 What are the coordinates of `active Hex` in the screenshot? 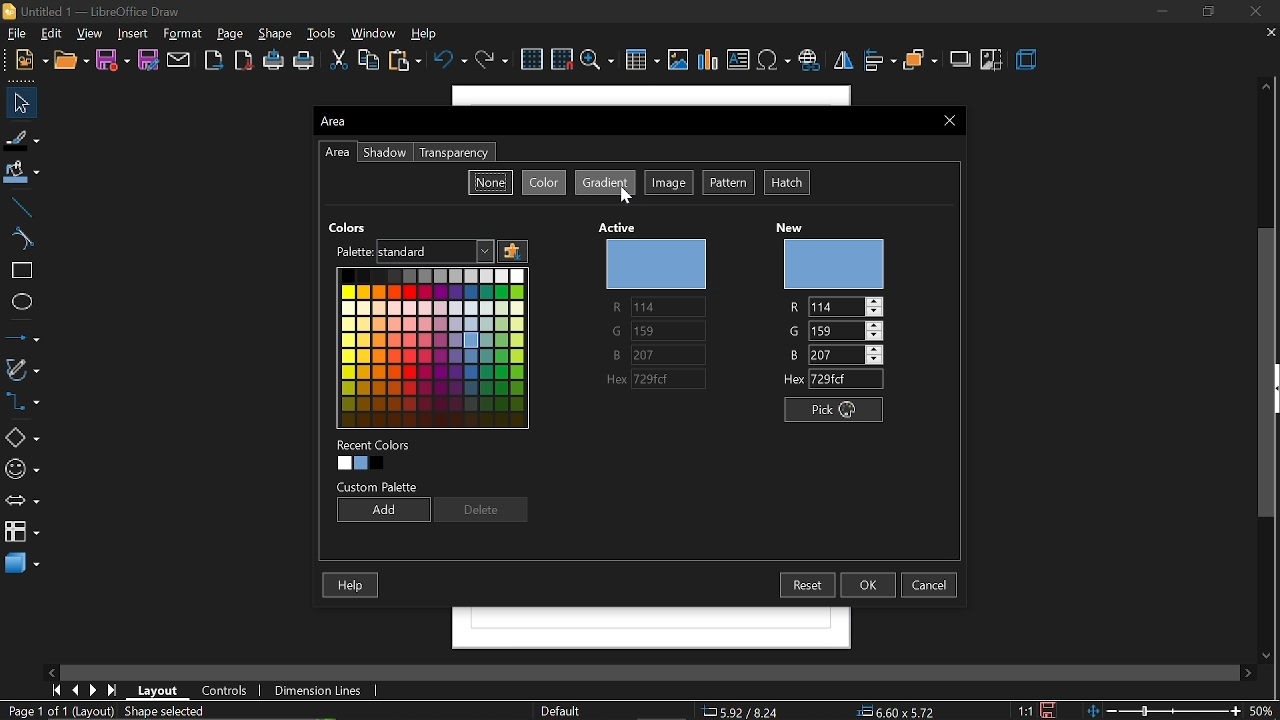 It's located at (659, 380).